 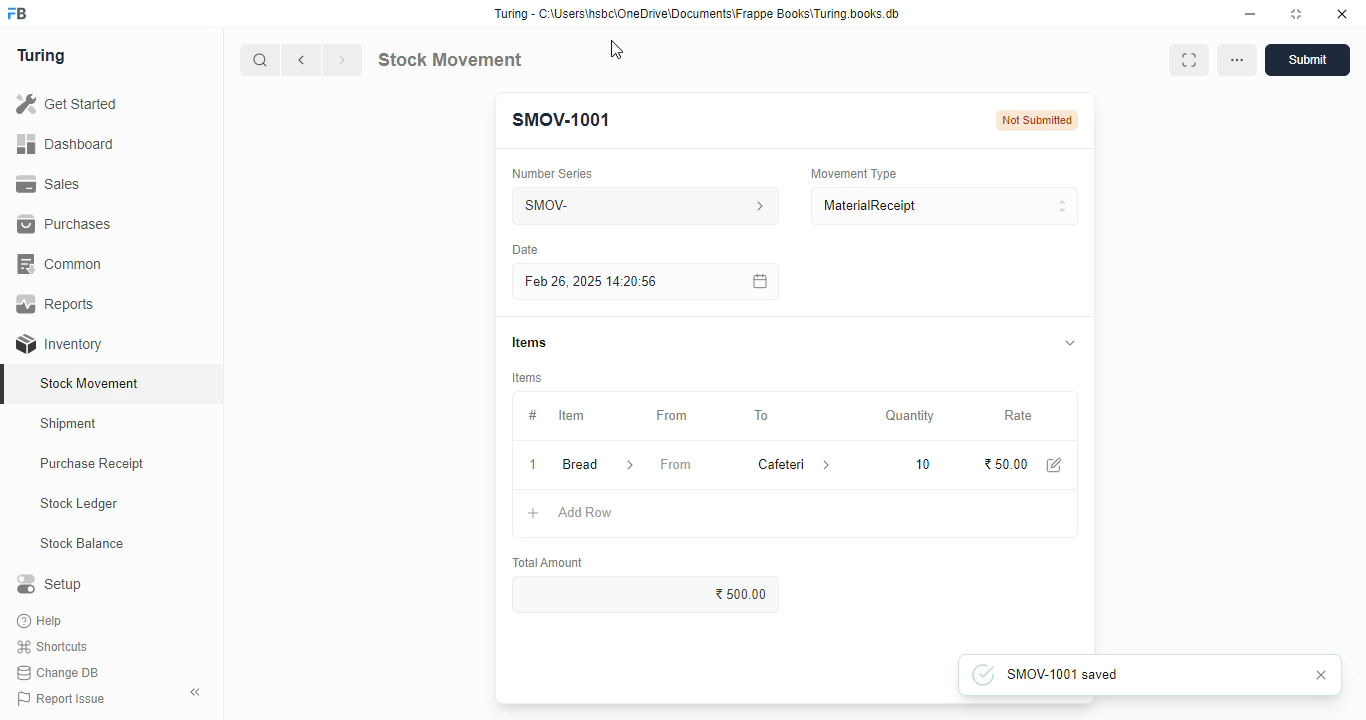 I want to click on quantity, so click(x=910, y=416).